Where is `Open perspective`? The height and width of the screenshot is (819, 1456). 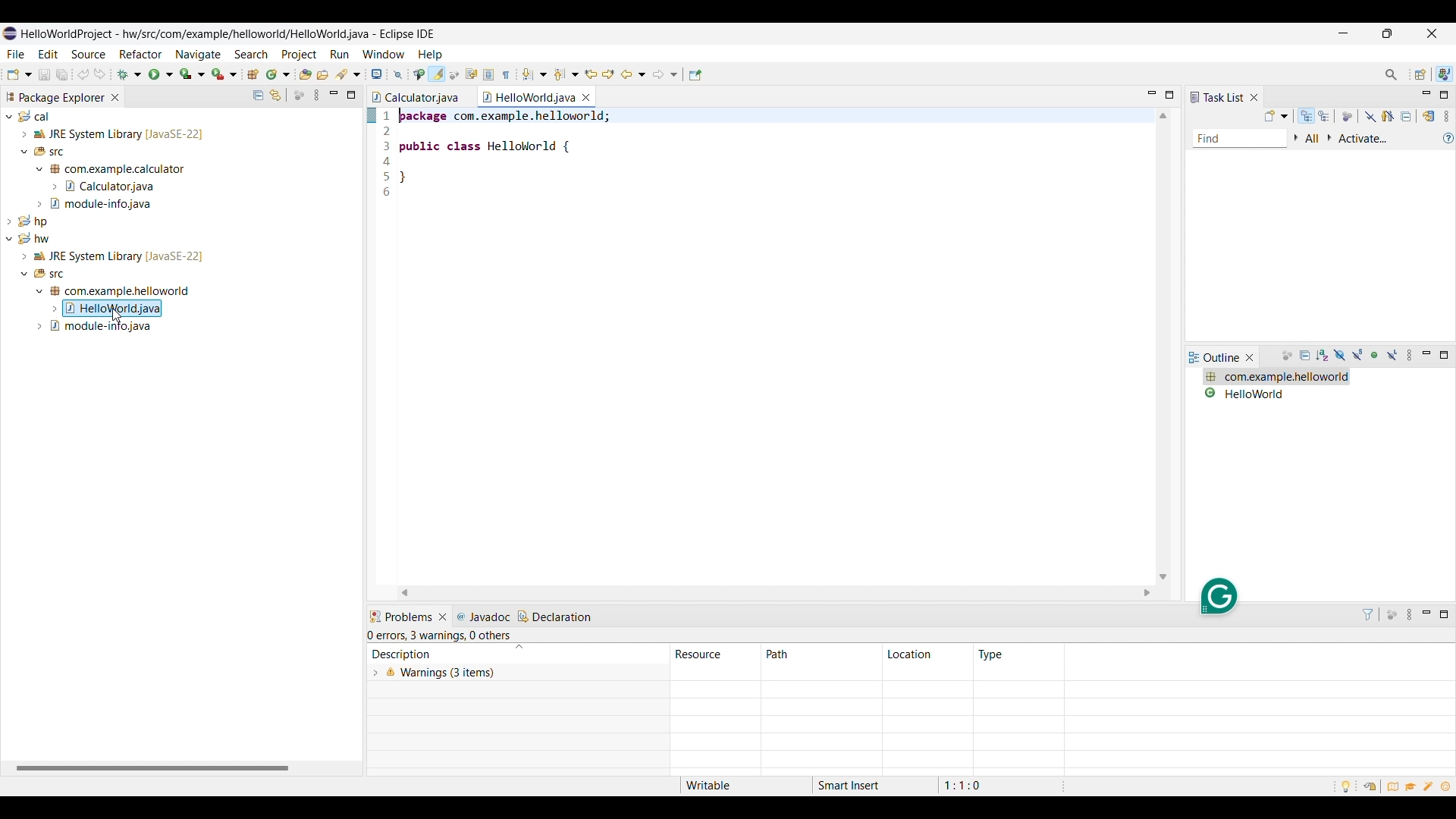
Open perspective is located at coordinates (1421, 74).